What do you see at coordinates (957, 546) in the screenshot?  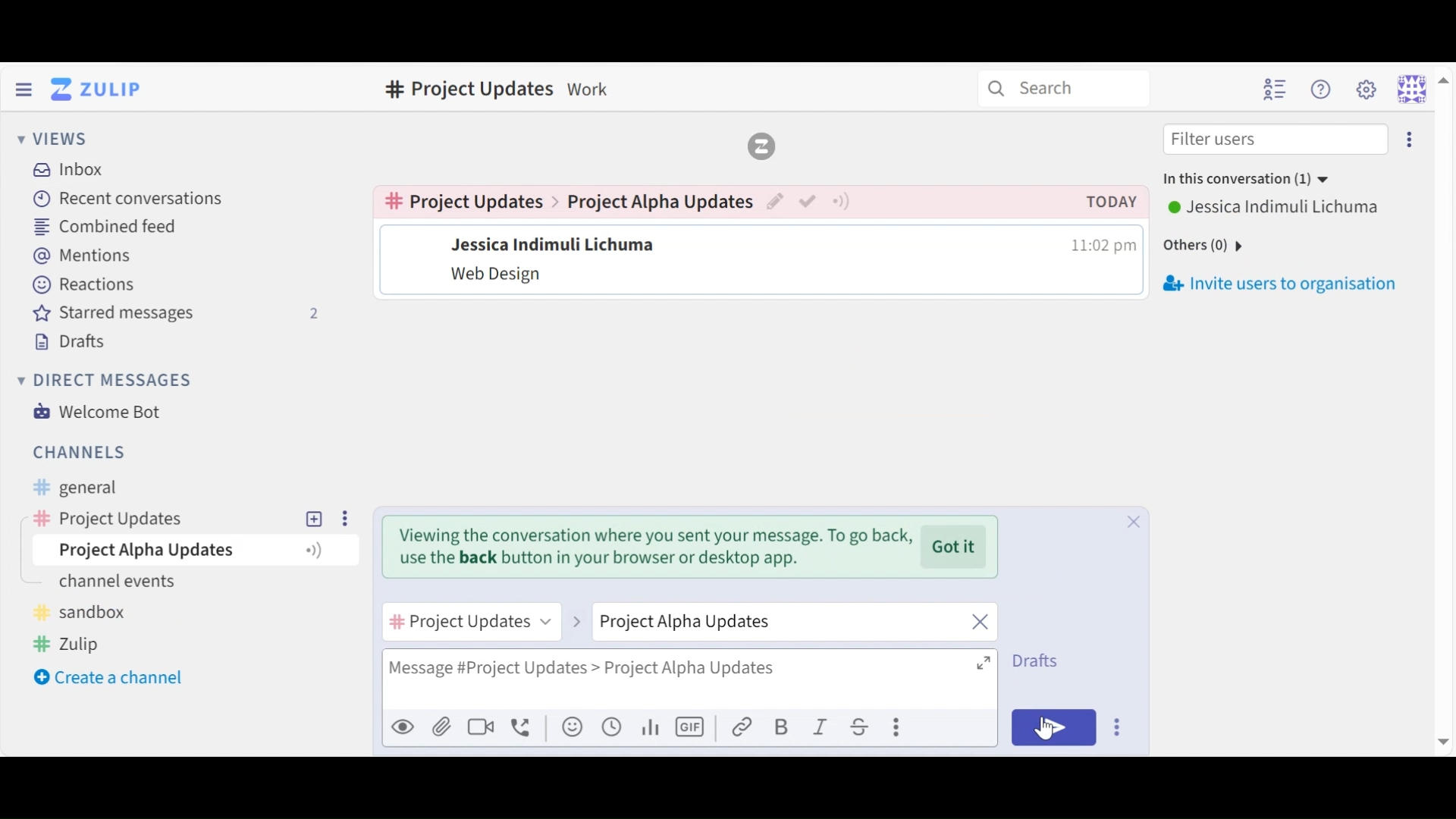 I see `got it` at bounding box center [957, 546].